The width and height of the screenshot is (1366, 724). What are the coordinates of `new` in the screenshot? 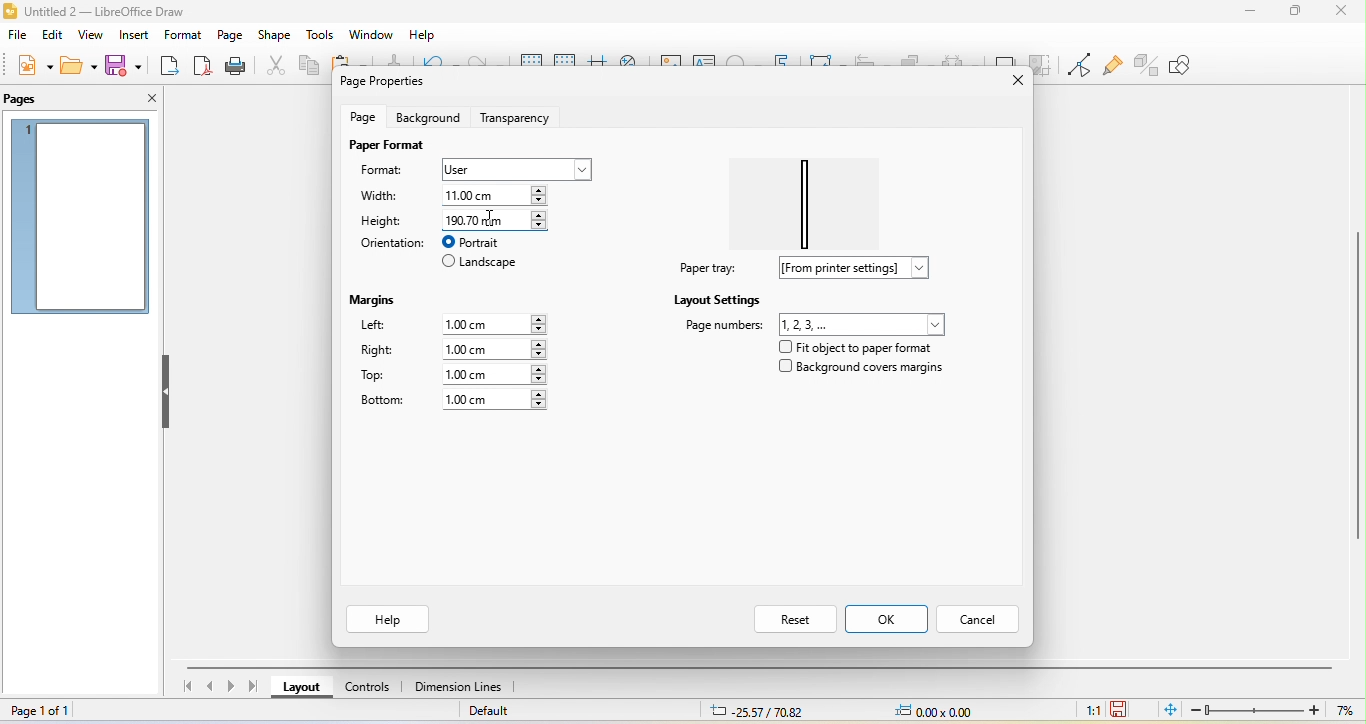 It's located at (32, 66).